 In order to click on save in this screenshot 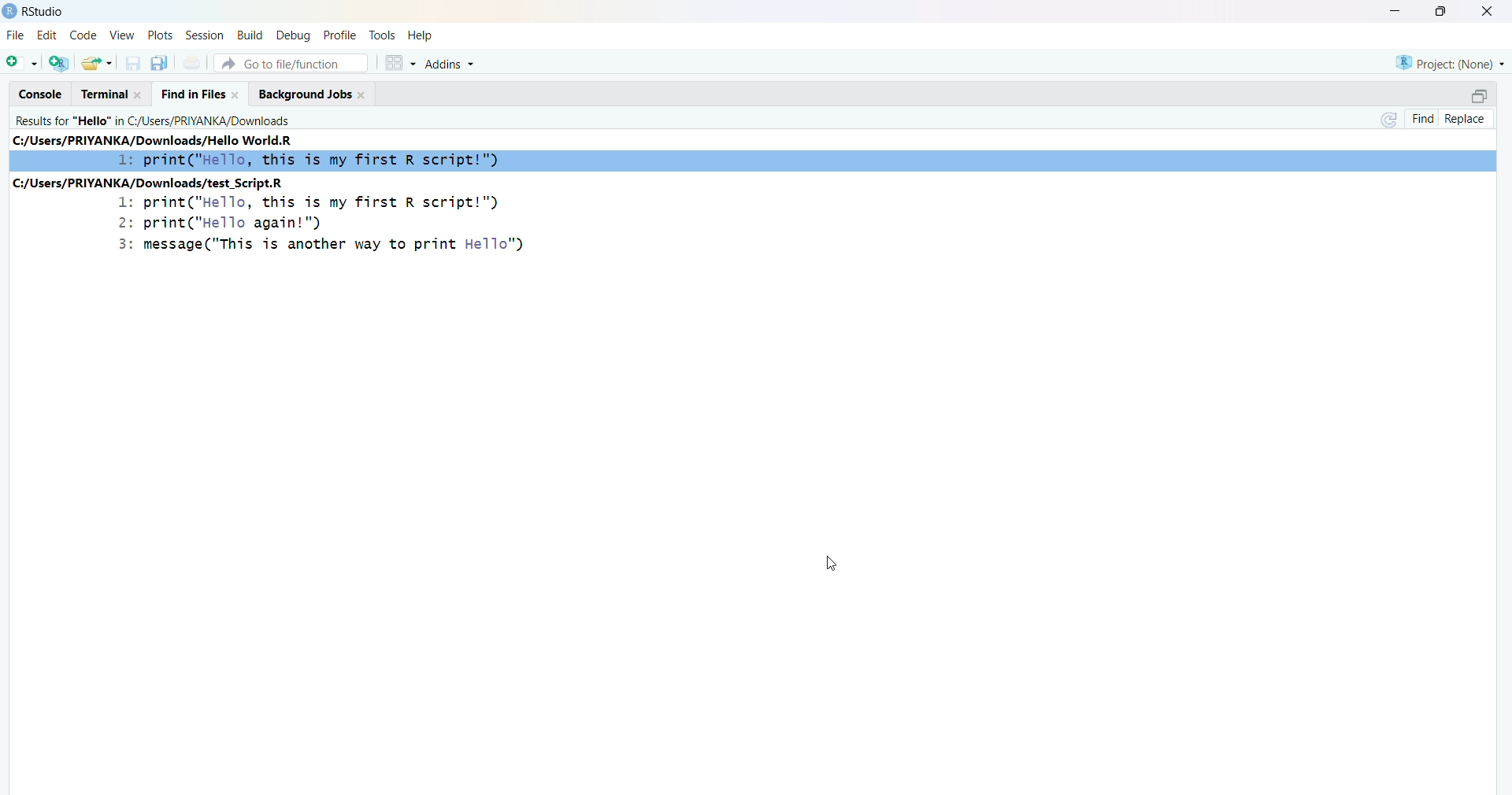, I will do `click(135, 64)`.